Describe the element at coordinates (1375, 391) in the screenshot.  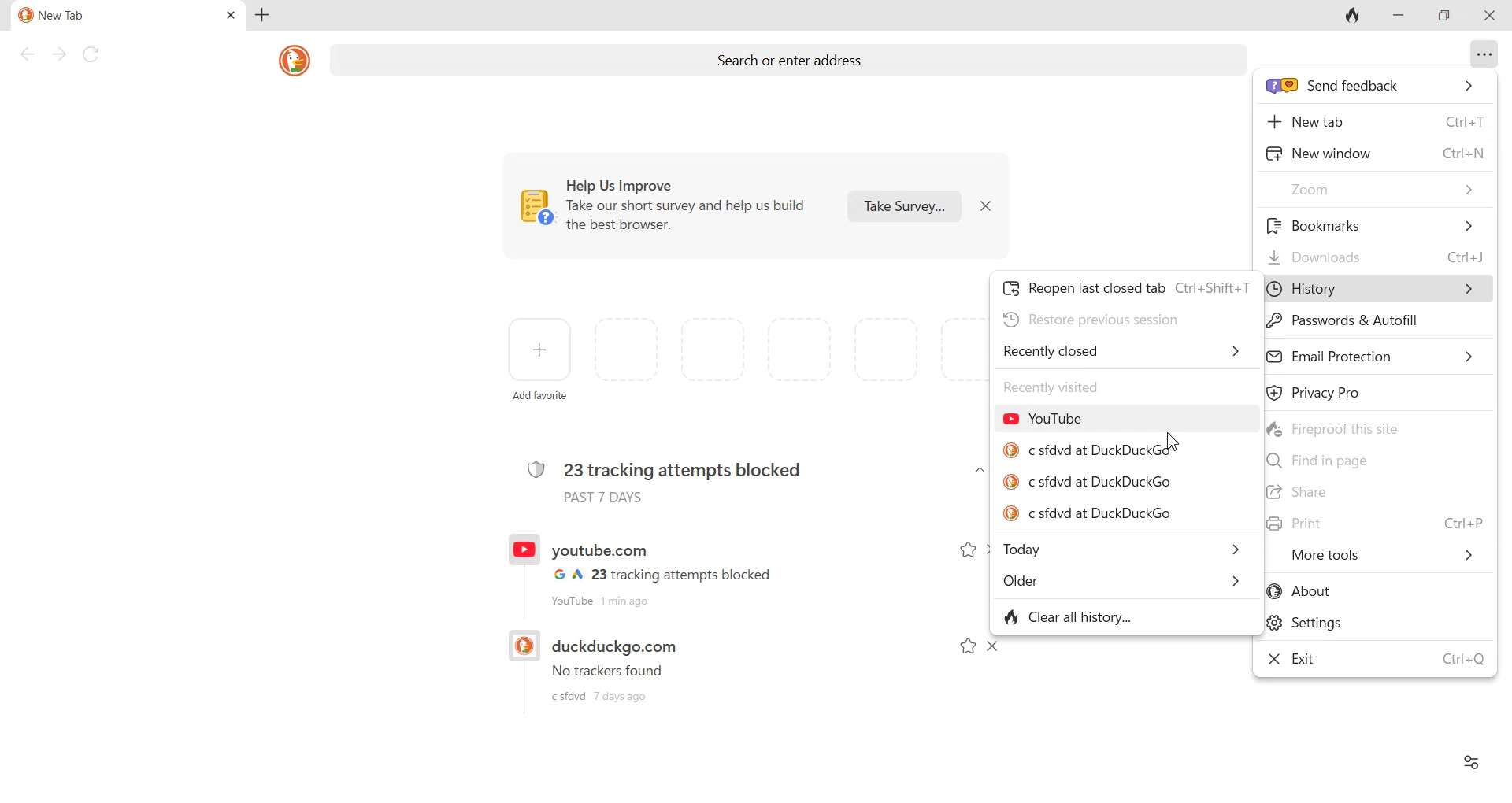
I see `Privacy Pro` at that location.